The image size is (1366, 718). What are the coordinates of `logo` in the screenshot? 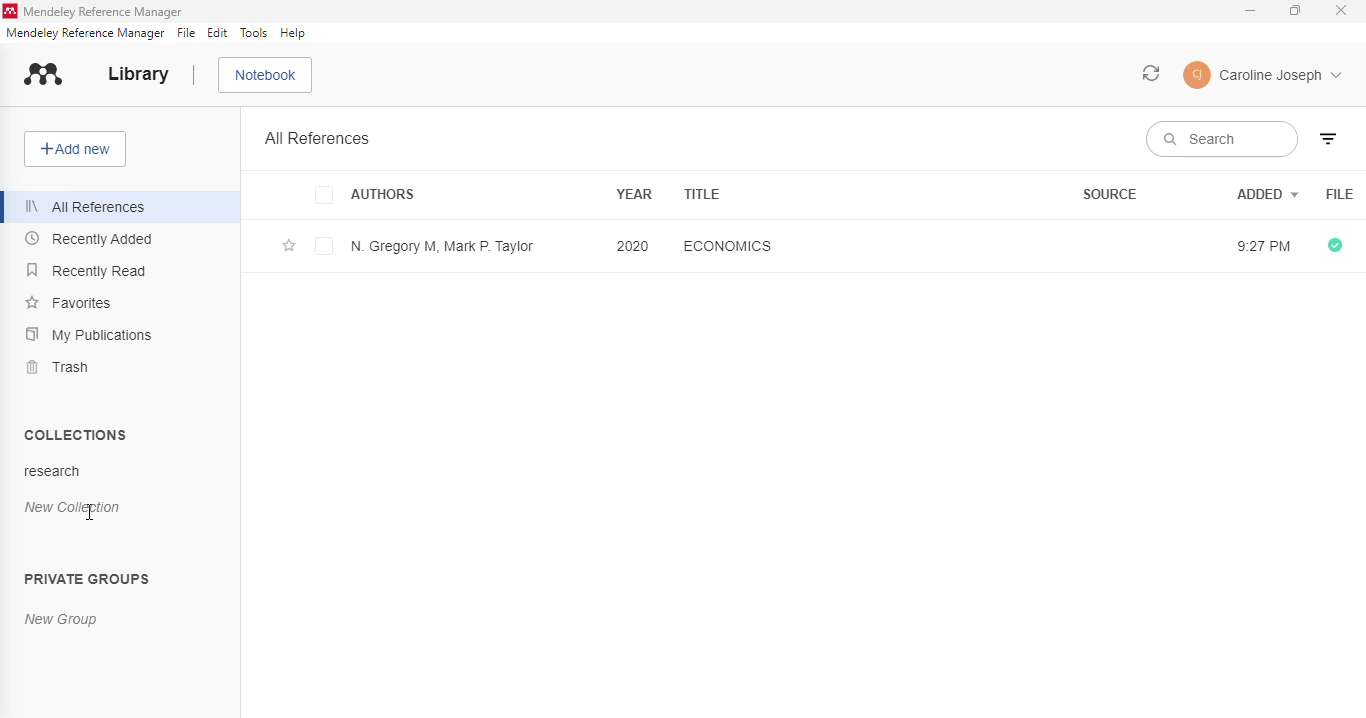 It's located at (9, 12).